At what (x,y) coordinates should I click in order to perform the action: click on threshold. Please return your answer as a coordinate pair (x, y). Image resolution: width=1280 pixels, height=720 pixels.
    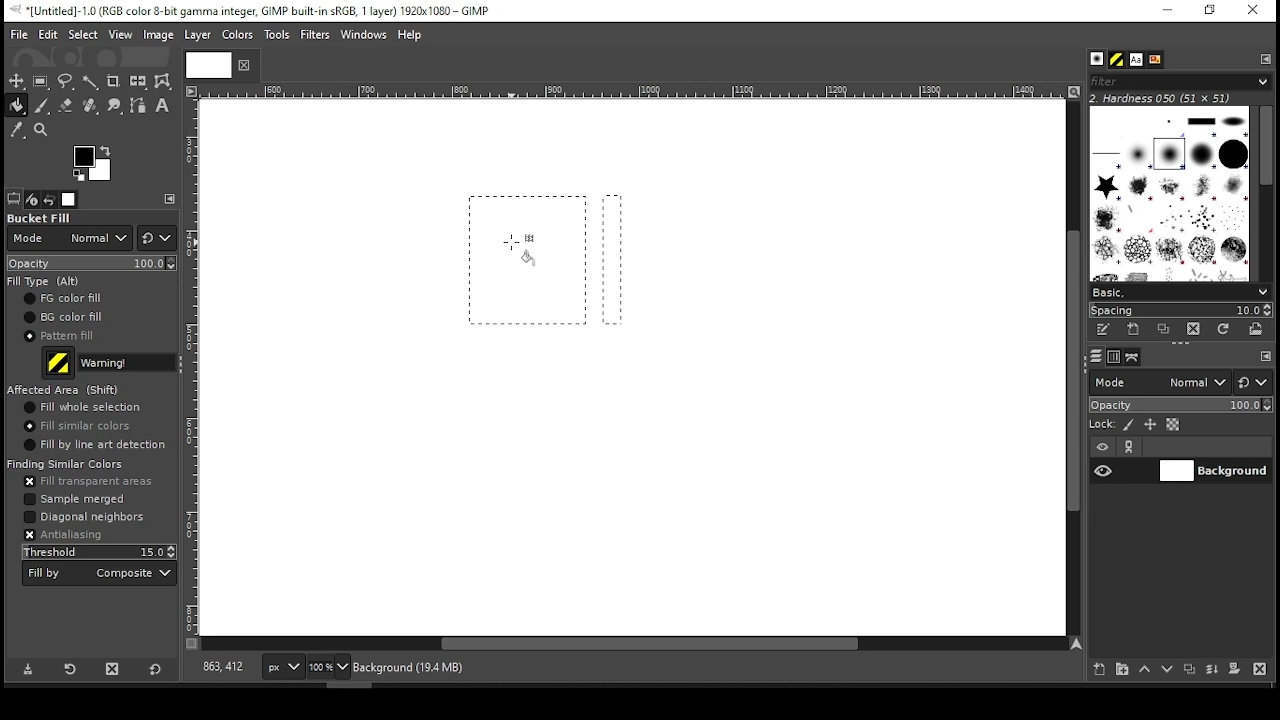
    Looking at the image, I should click on (100, 552).